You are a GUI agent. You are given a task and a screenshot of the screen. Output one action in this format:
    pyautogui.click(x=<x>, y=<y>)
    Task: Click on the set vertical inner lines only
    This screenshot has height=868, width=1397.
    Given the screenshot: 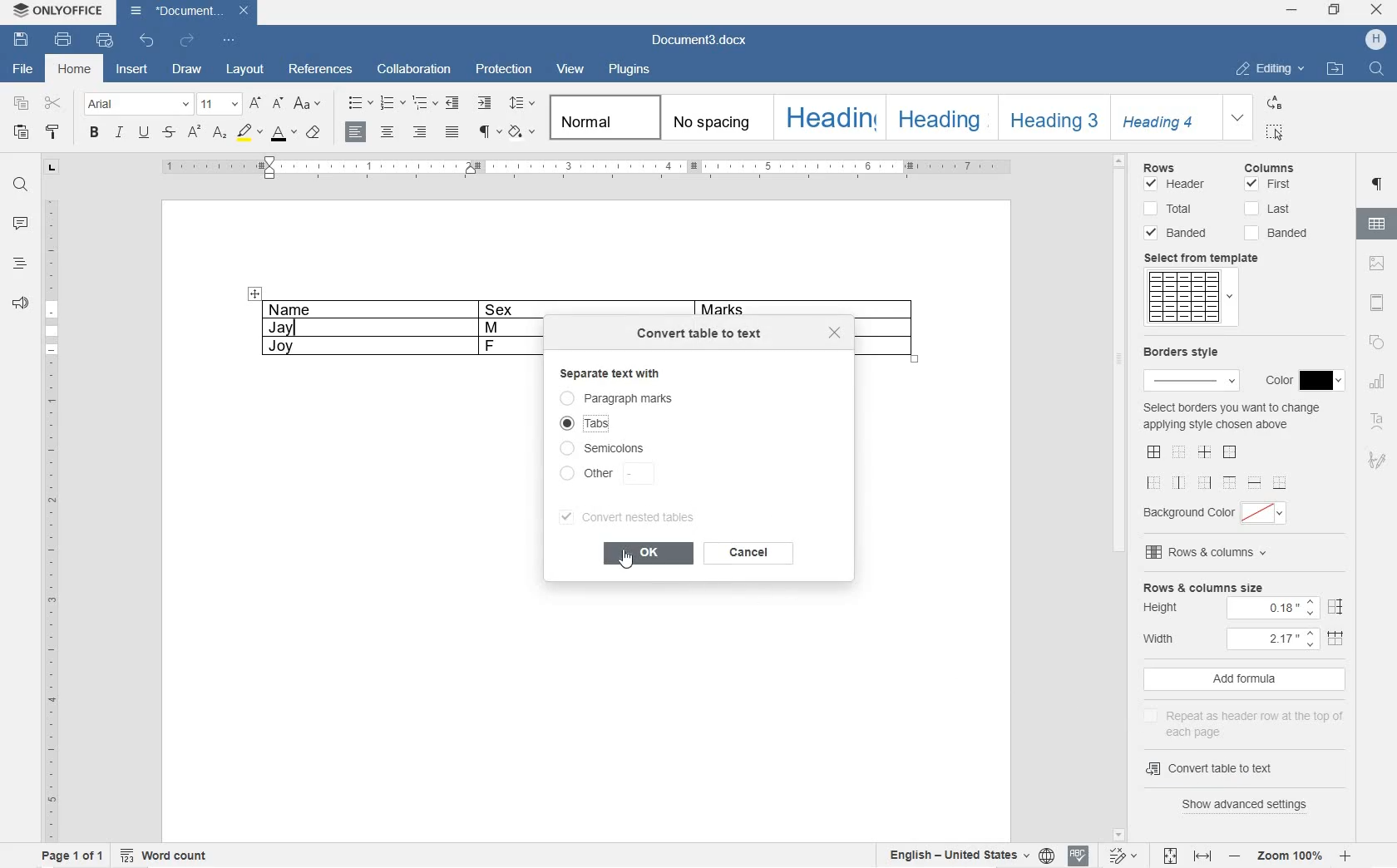 What is the action you would take?
    pyautogui.click(x=1179, y=481)
    